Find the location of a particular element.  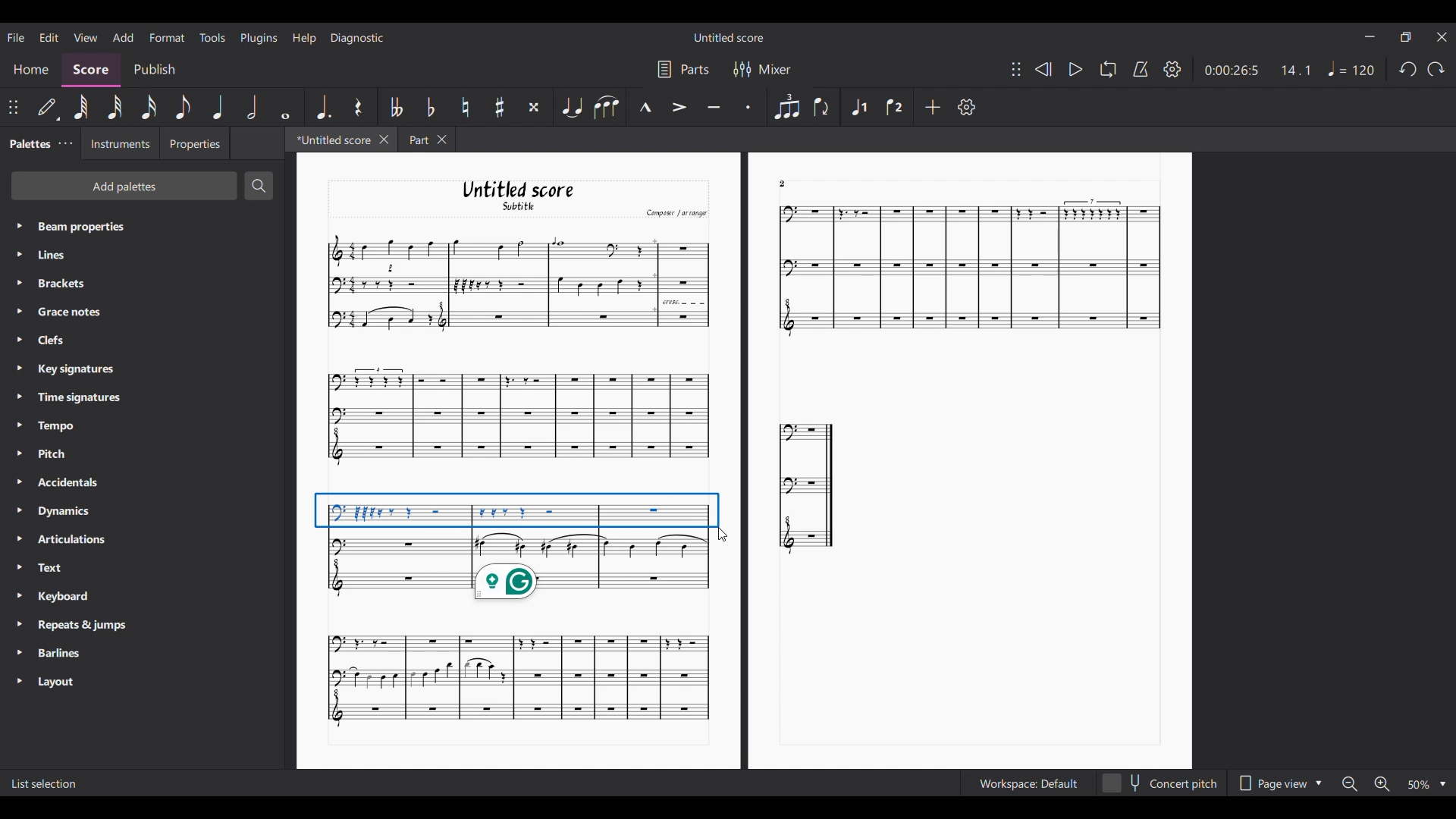

> Text is located at coordinates (49, 572).